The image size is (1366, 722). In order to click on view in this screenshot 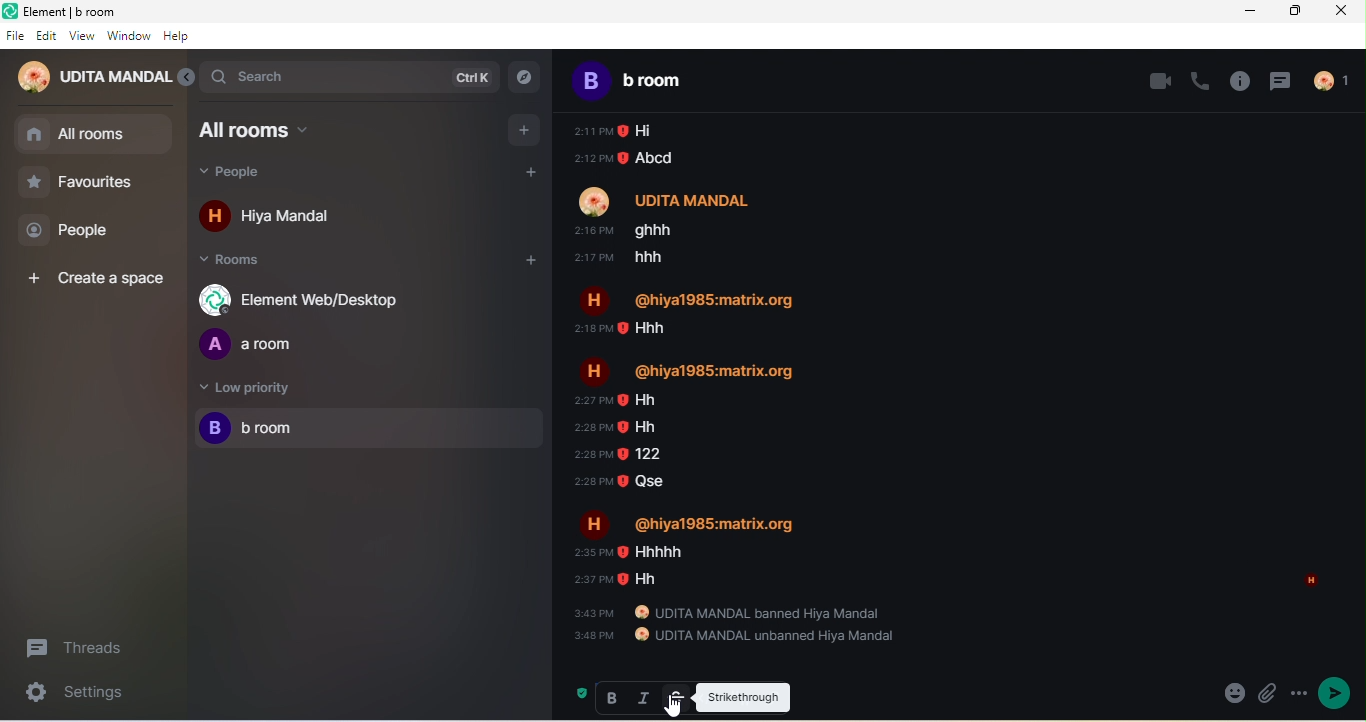, I will do `click(82, 36)`.